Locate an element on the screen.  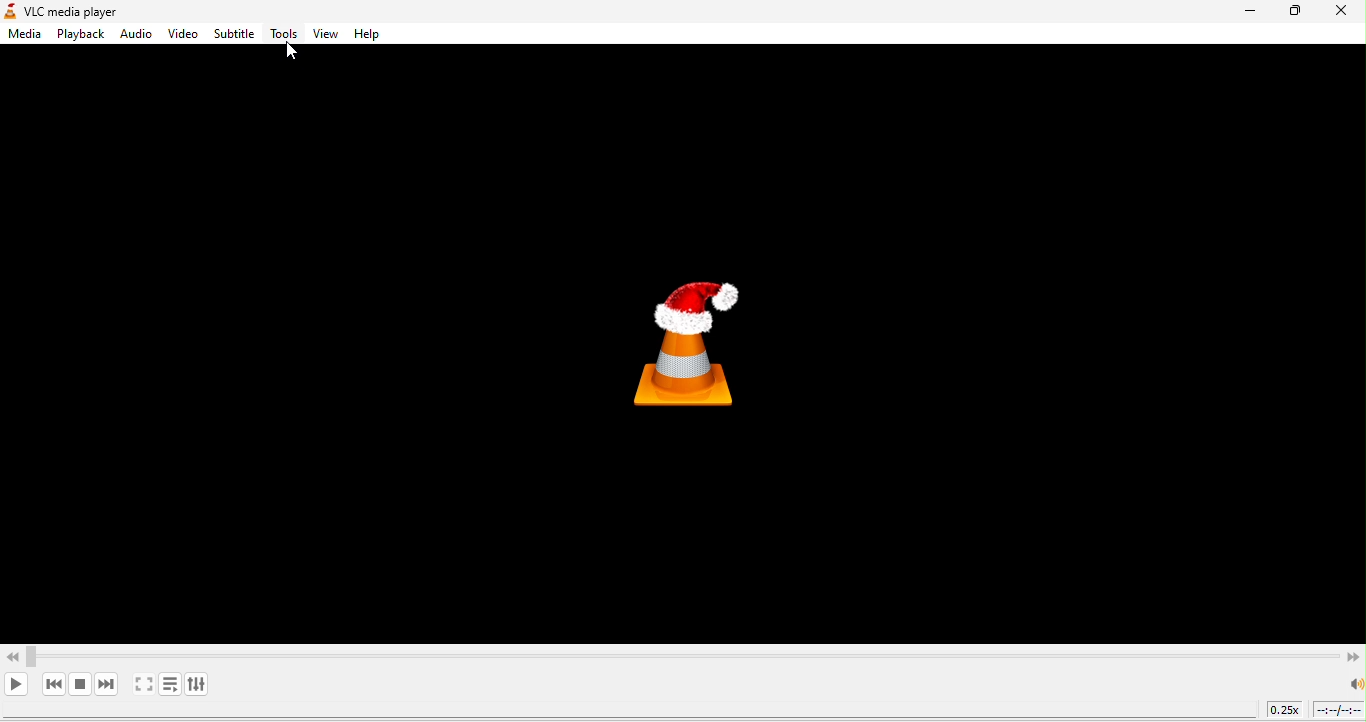
subtitle is located at coordinates (234, 35).